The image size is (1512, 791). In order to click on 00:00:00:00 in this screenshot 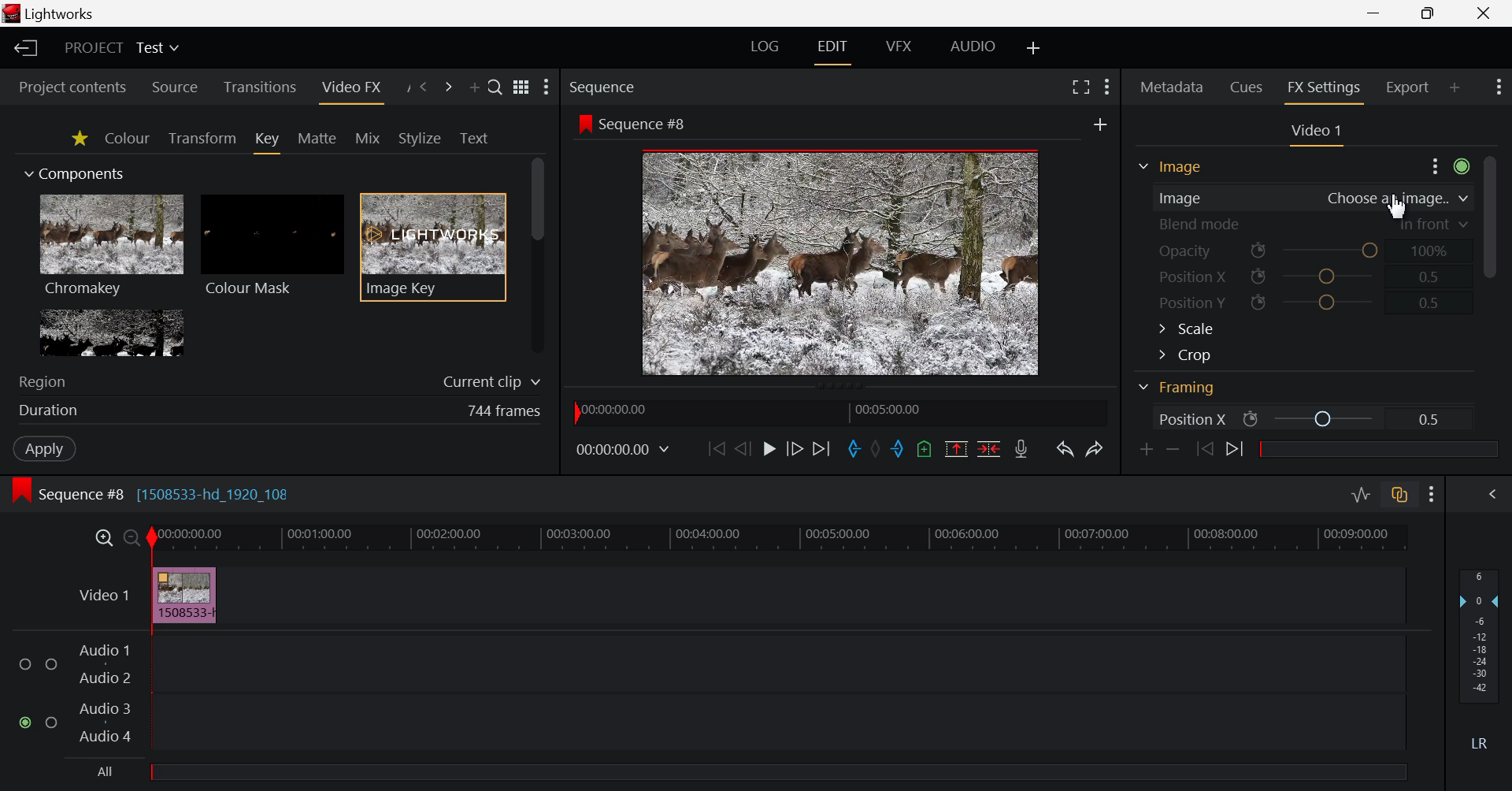, I will do `click(616, 410)`.